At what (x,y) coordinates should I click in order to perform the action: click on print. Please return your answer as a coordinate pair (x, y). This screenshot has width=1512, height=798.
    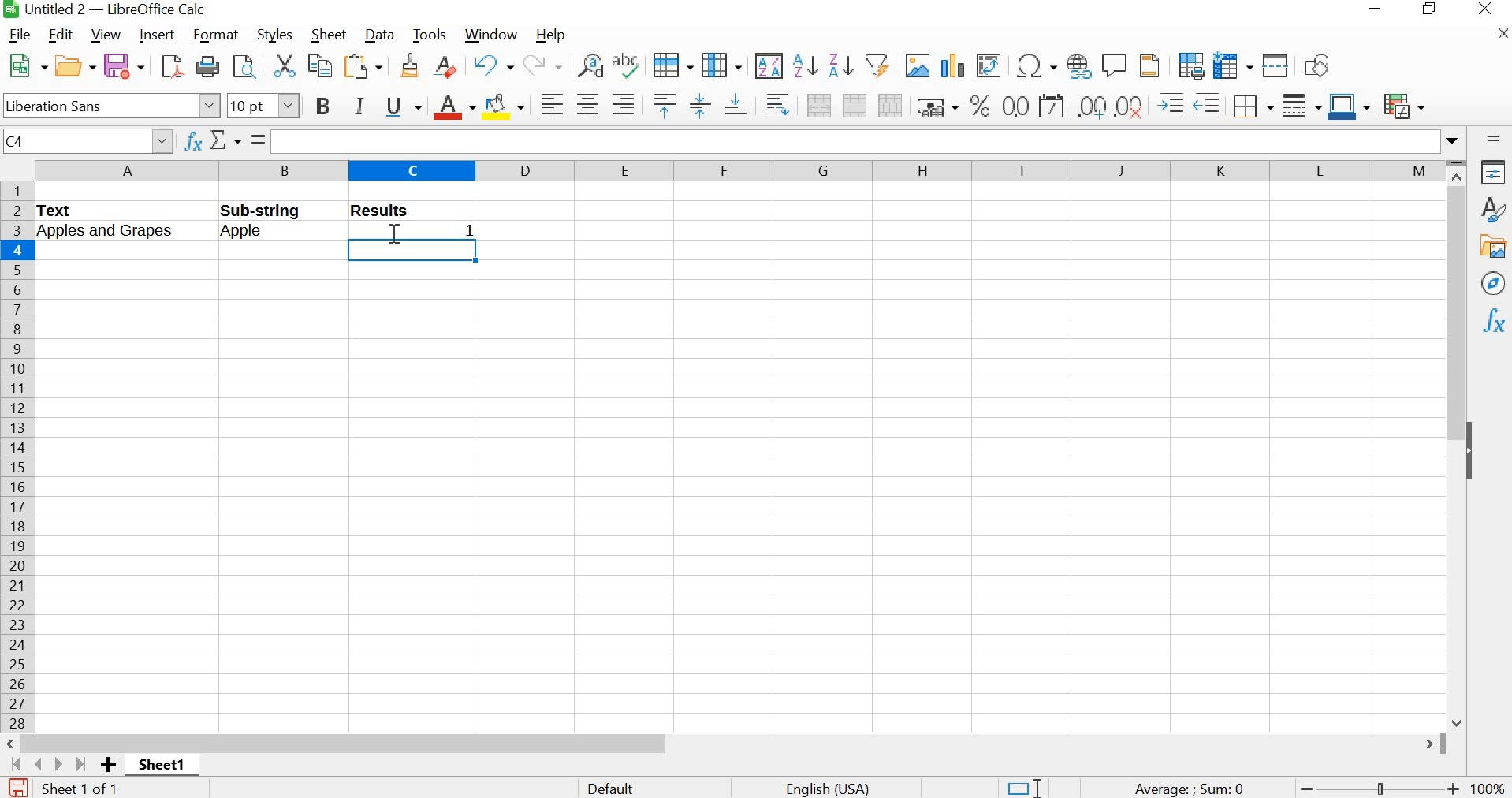
    Looking at the image, I should click on (207, 65).